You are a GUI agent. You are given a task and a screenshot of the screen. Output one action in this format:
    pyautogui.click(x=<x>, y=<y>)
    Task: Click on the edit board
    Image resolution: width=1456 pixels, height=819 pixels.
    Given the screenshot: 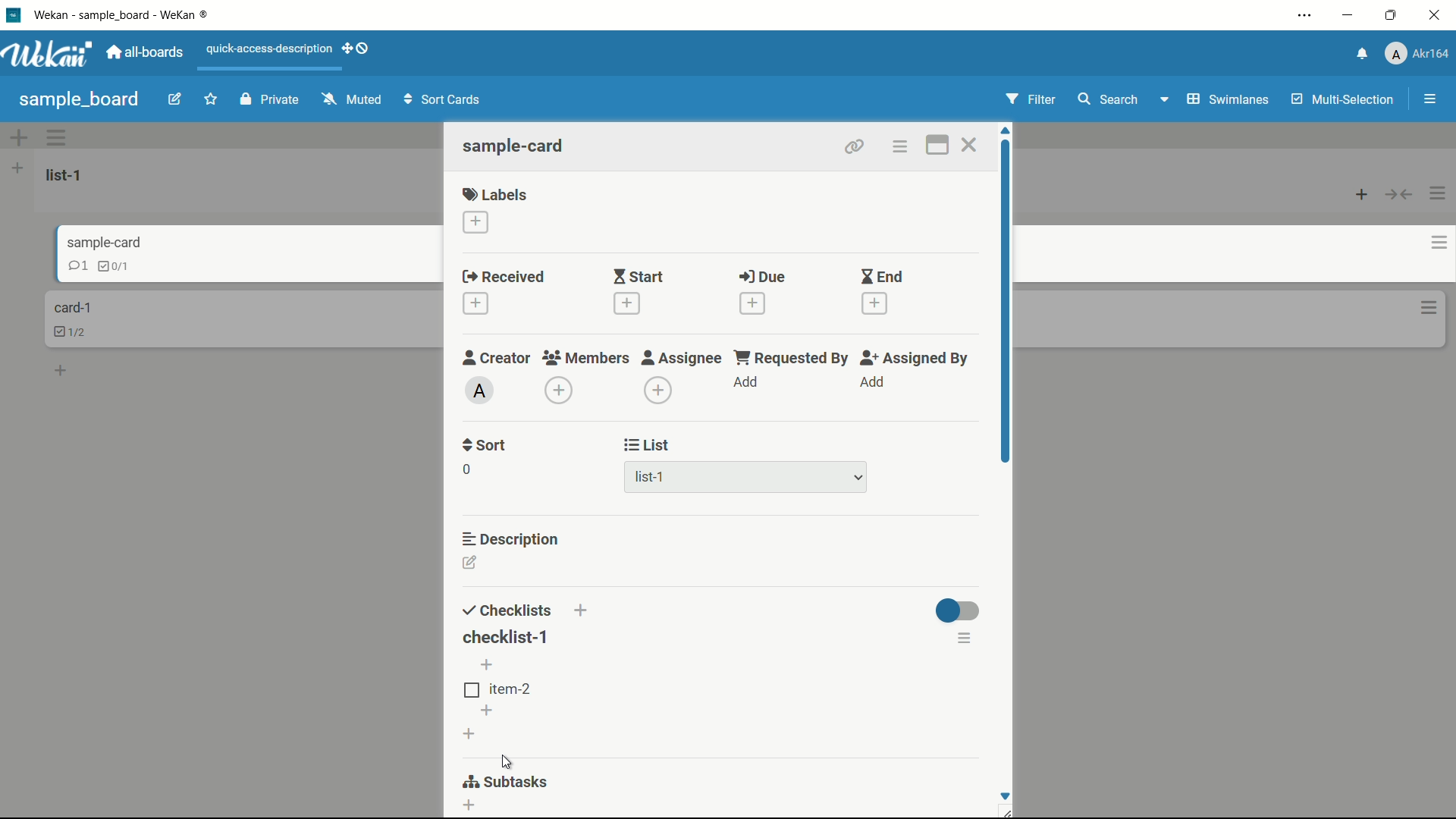 What is the action you would take?
    pyautogui.click(x=175, y=98)
    